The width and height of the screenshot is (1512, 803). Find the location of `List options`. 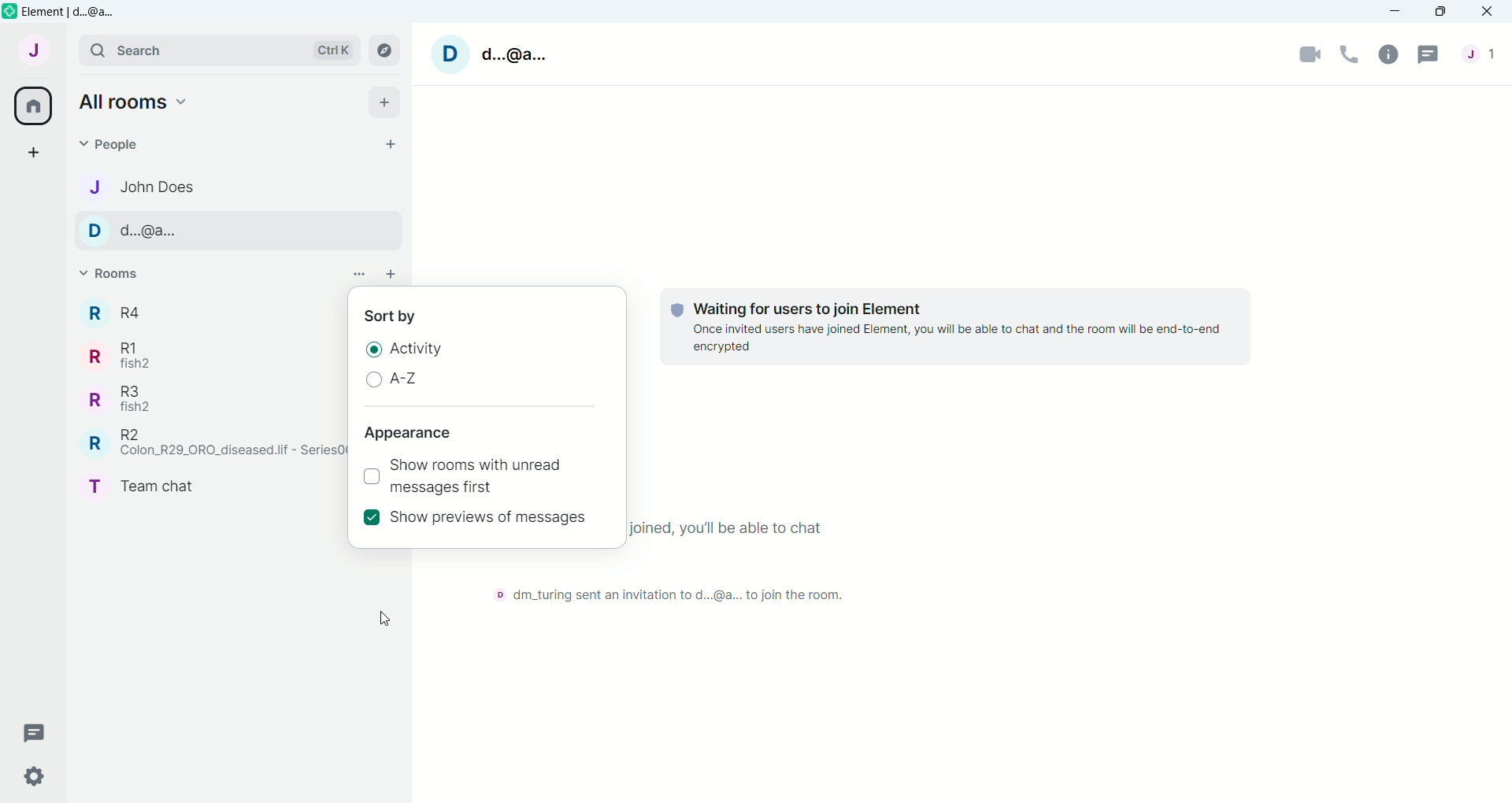

List options is located at coordinates (358, 273).